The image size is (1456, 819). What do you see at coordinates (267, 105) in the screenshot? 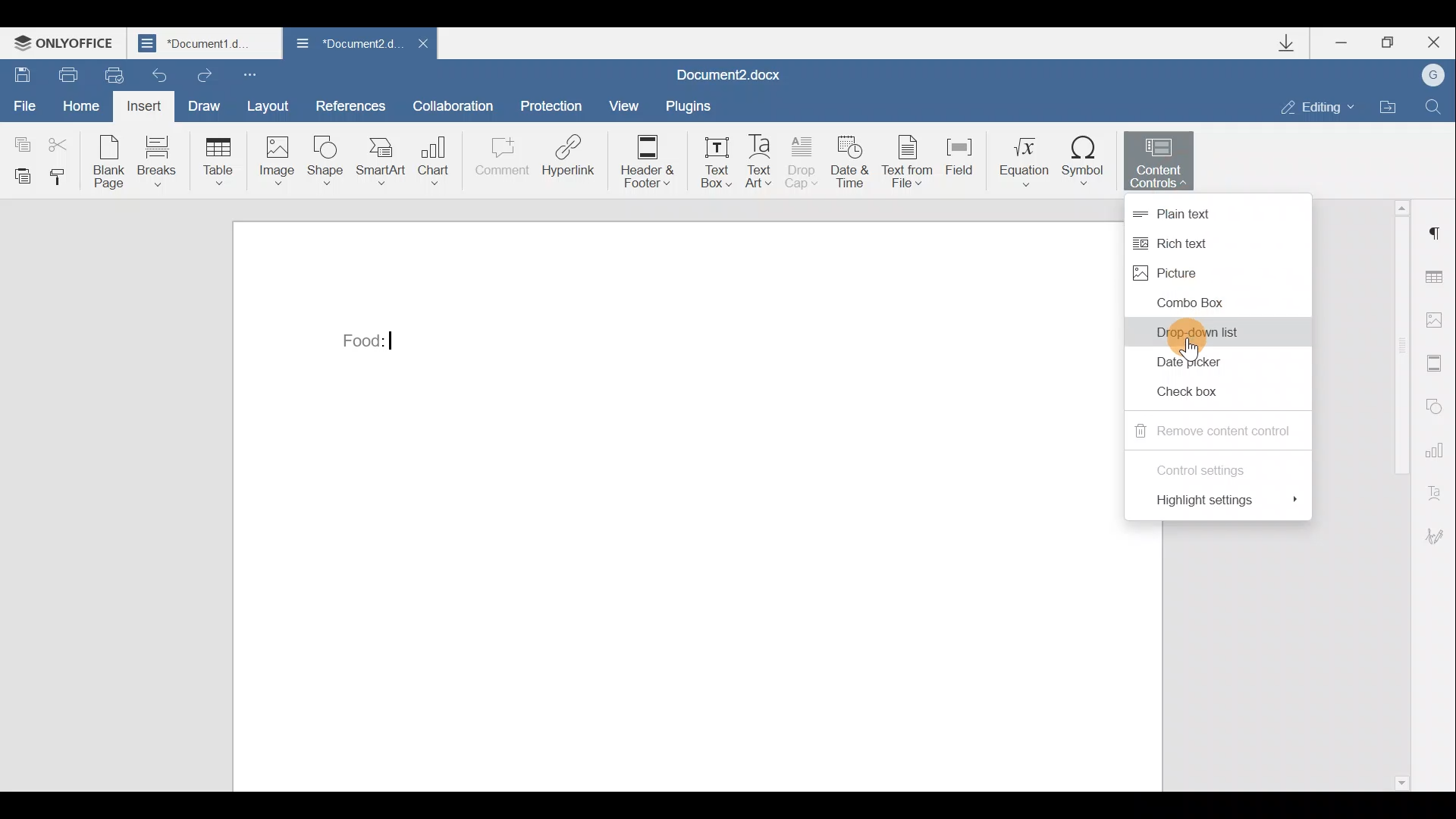
I see `Layout` at bounding box center [267, 105].